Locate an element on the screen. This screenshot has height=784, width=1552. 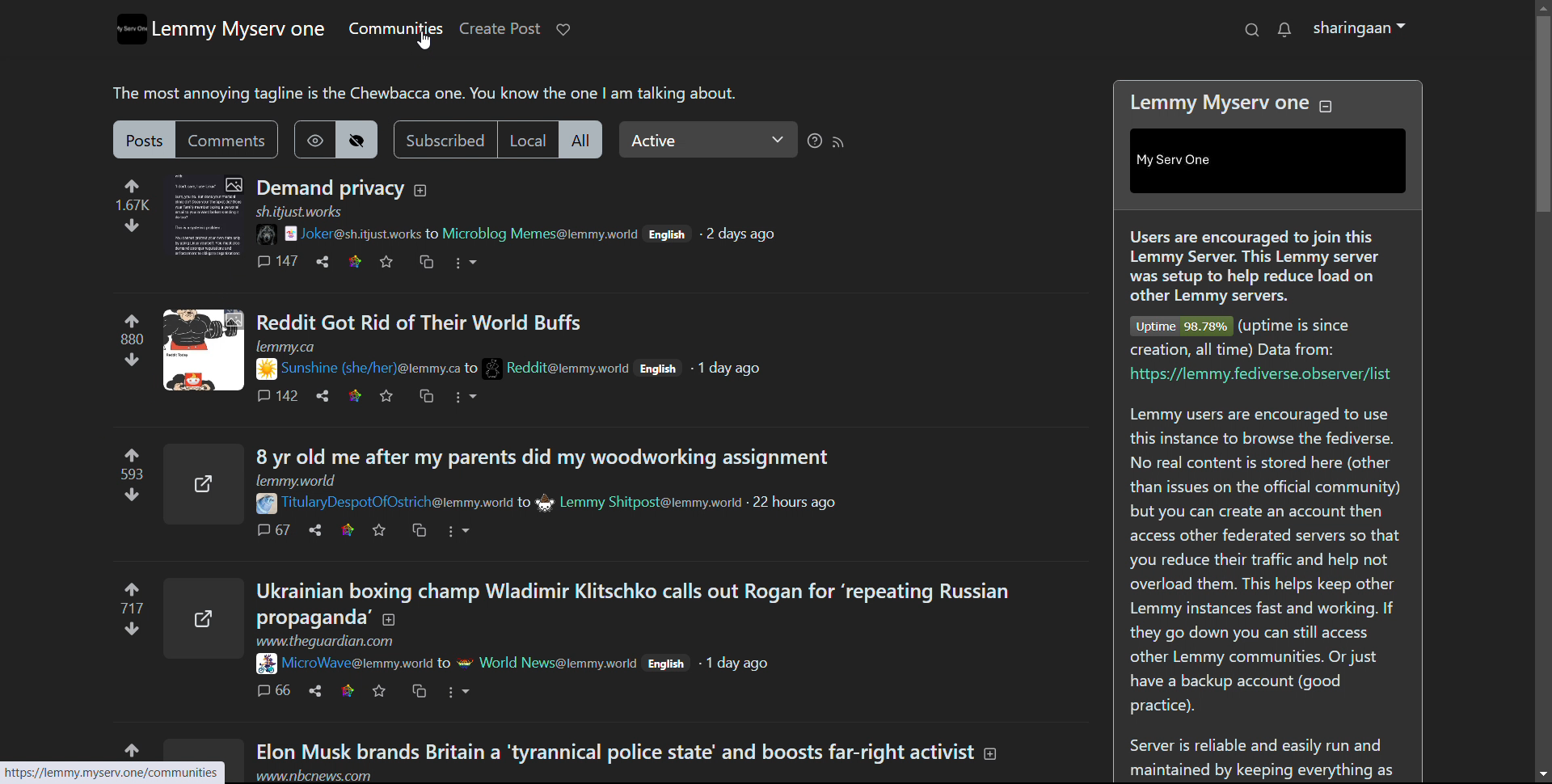
unread messages is located at coordinates (1284, 31).